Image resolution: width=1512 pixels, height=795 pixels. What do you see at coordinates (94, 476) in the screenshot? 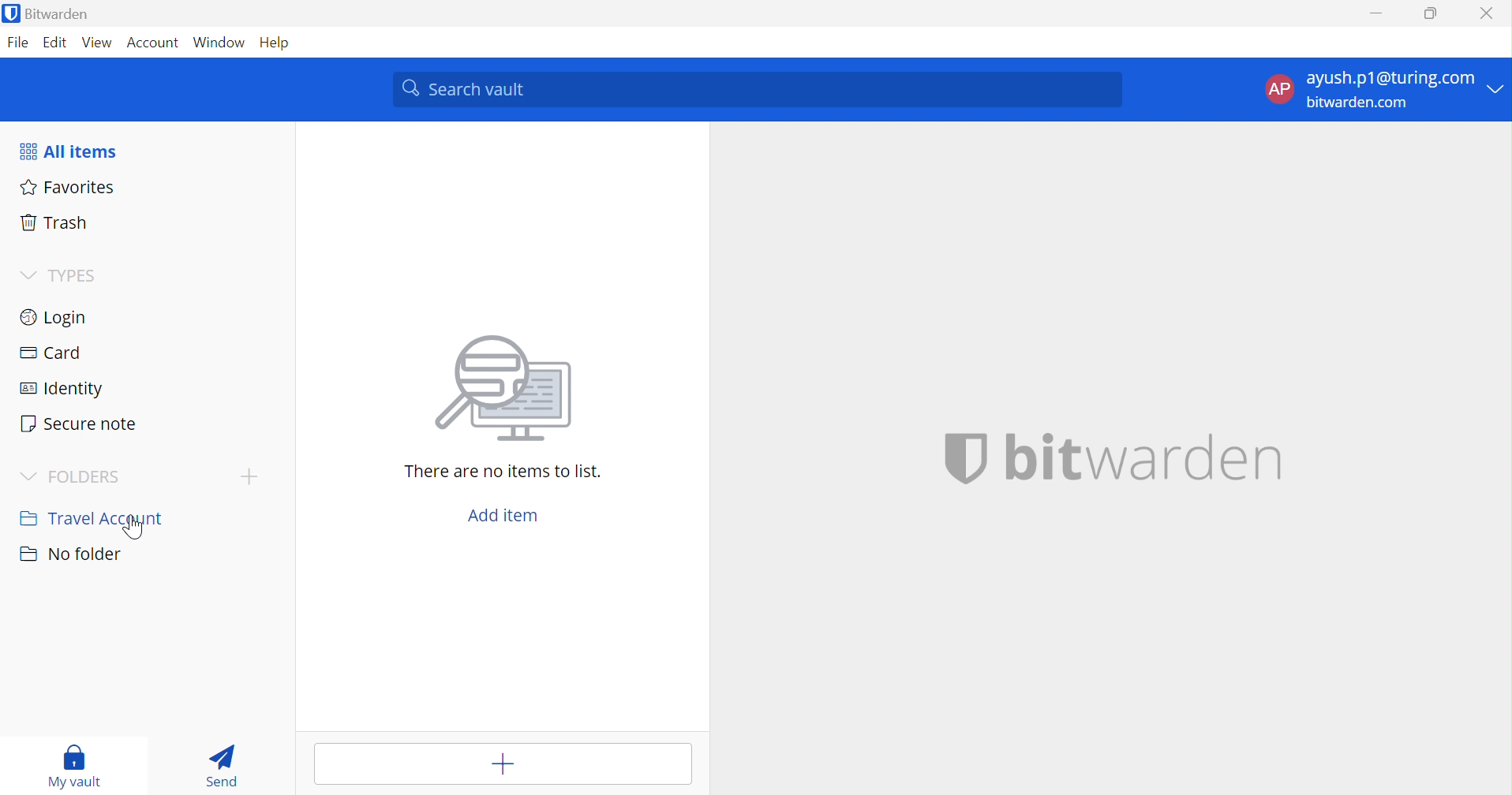
I see `FOLDERS` at bounding box center [94, 476].